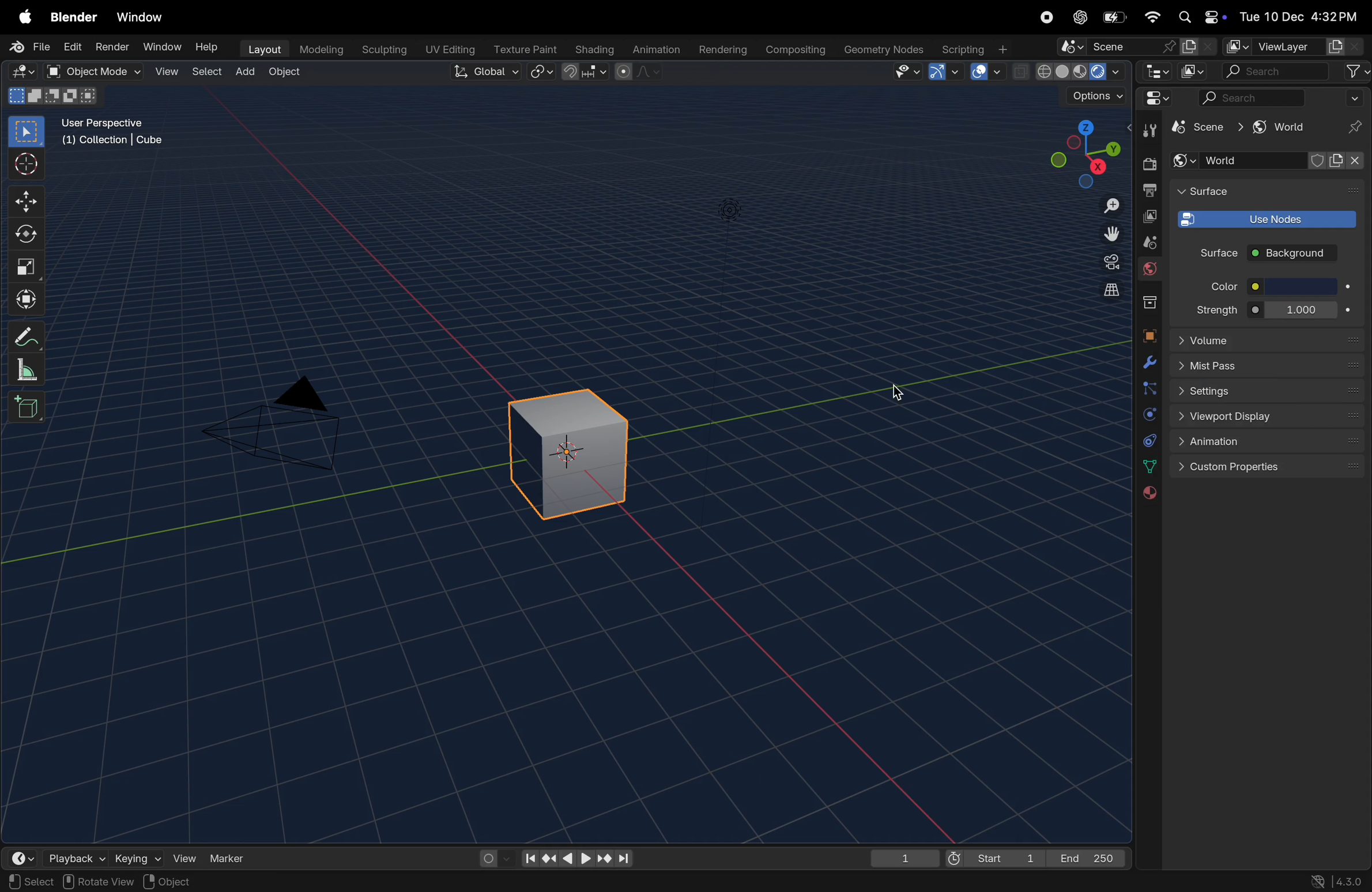 This screenshot has height=892, width=1372. What do you see at coordinates (73, 16) in the screenshot?
I see `Blender` at bounding box center [73, 16].